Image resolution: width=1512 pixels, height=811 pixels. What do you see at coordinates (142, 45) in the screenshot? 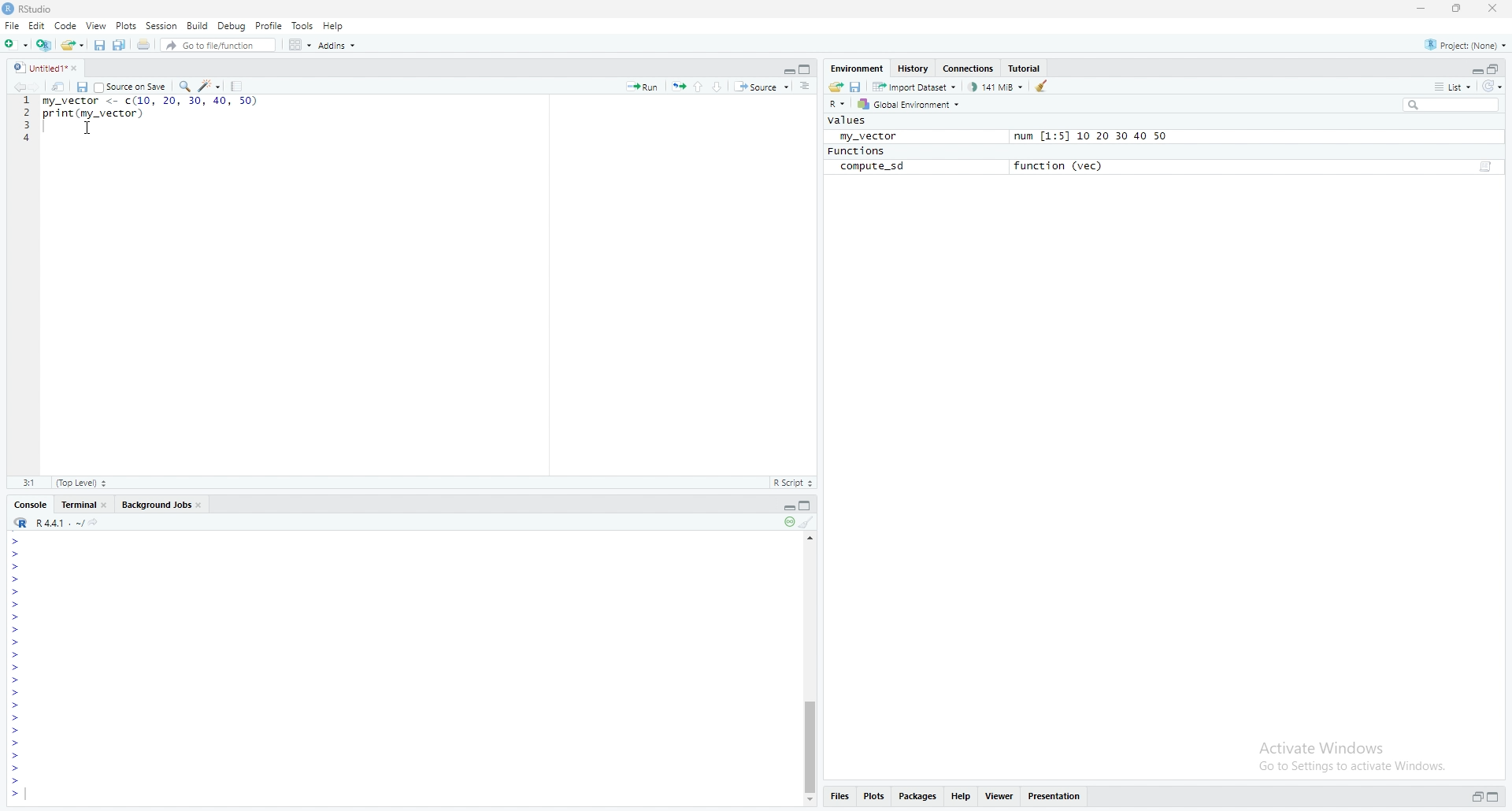
I see `Print the current file` at bounding box center [142, 45].